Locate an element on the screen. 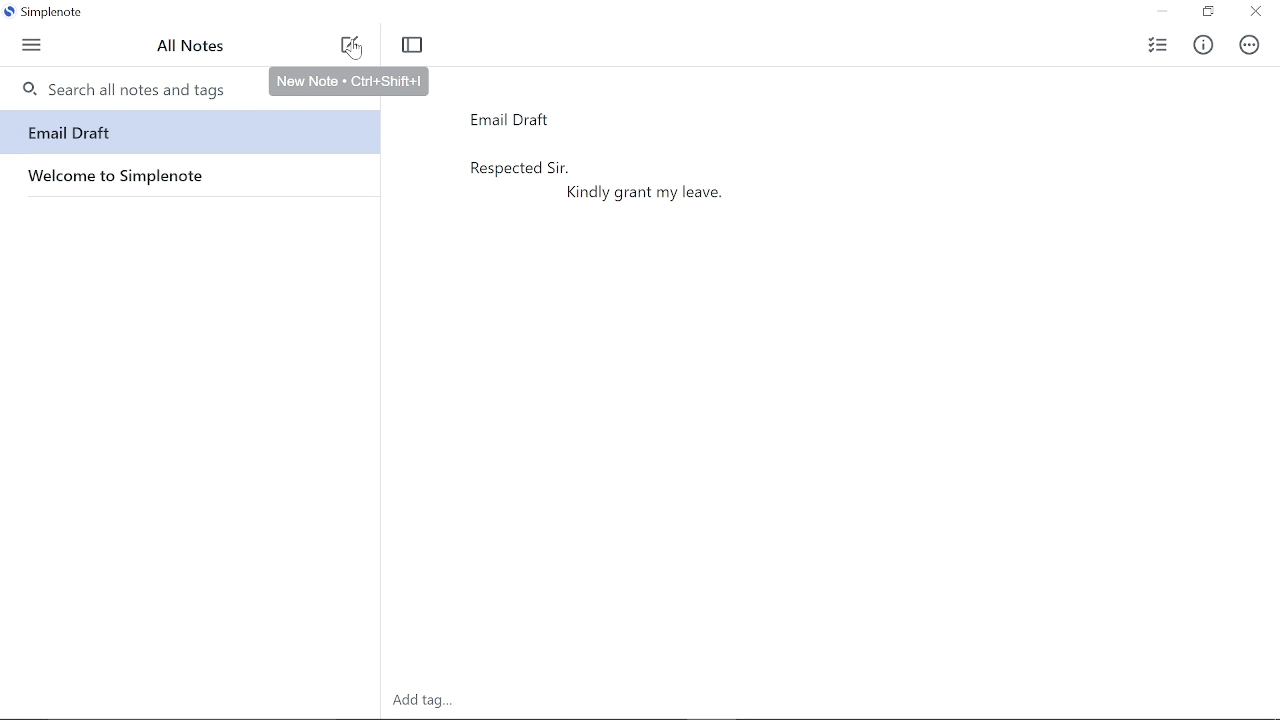 The height and width of the screenshot is (720, 1280). Note titled "Welcome to simplenote" is located at coordinates (187, 175).